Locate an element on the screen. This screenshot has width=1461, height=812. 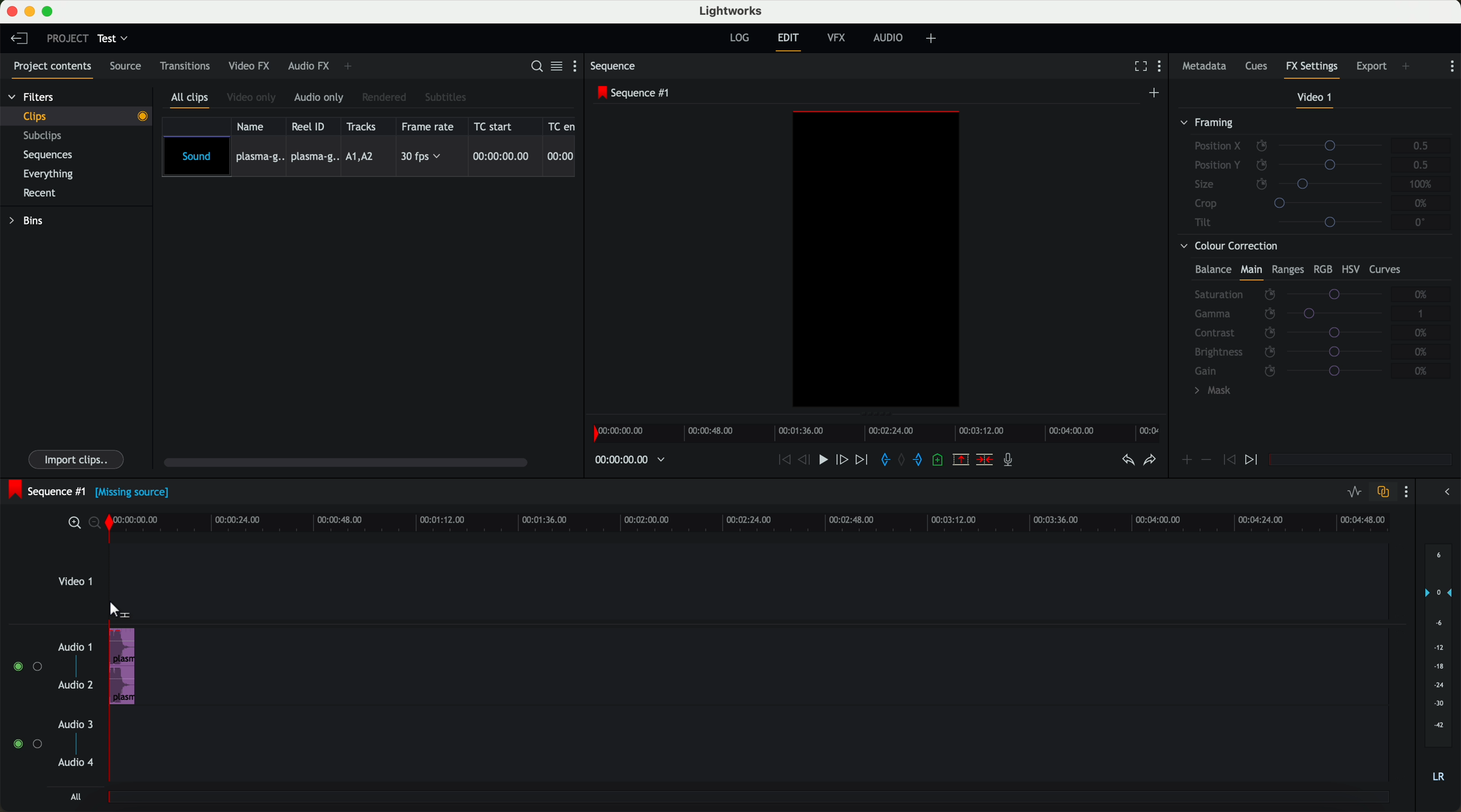
play is located at coordinates (826, 461).